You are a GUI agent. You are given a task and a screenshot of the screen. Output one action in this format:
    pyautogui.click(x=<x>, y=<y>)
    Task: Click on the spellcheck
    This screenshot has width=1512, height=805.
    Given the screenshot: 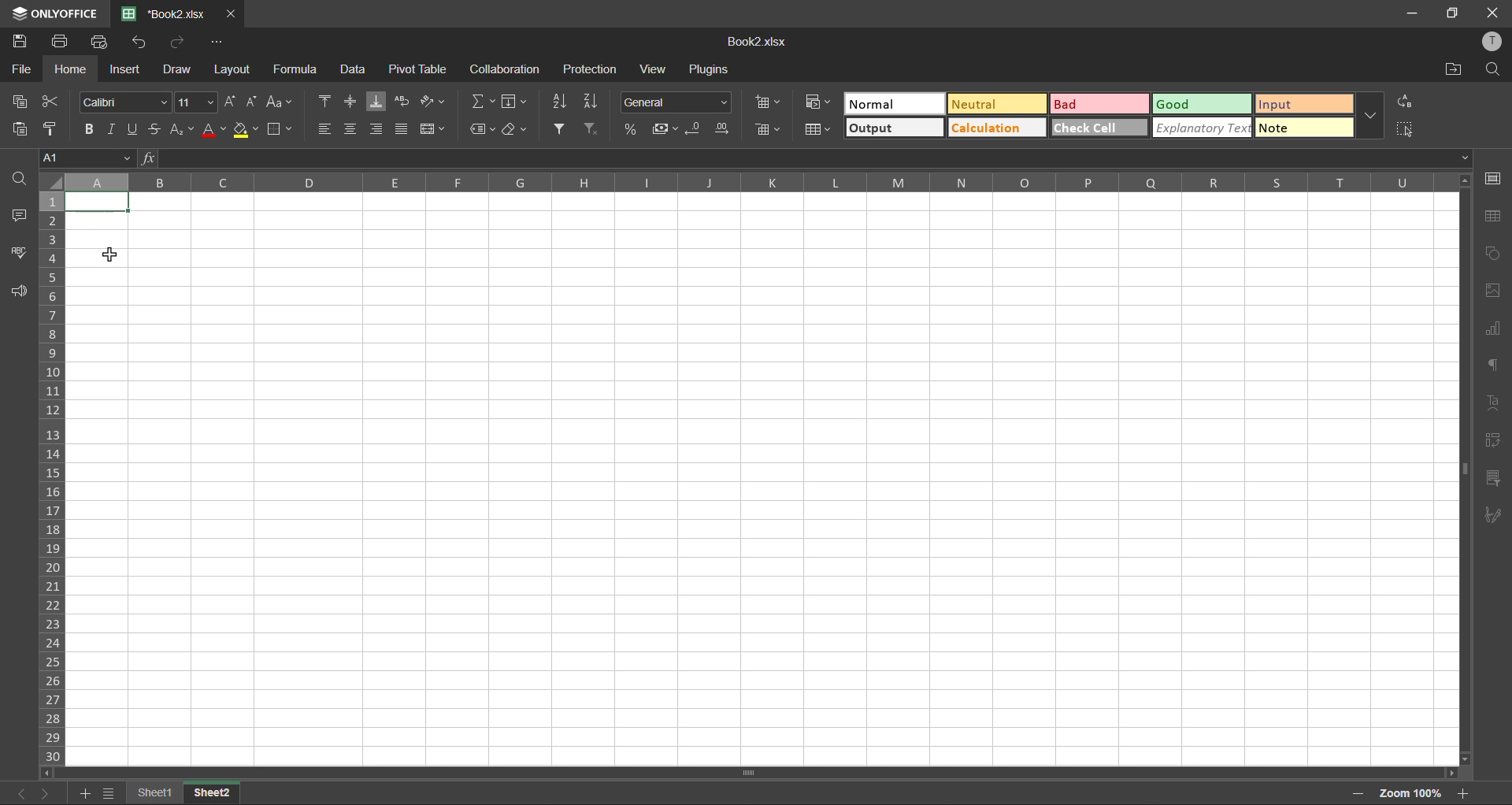 What is the action you would take?
    pyautogui.click(x=20, y=251)
    